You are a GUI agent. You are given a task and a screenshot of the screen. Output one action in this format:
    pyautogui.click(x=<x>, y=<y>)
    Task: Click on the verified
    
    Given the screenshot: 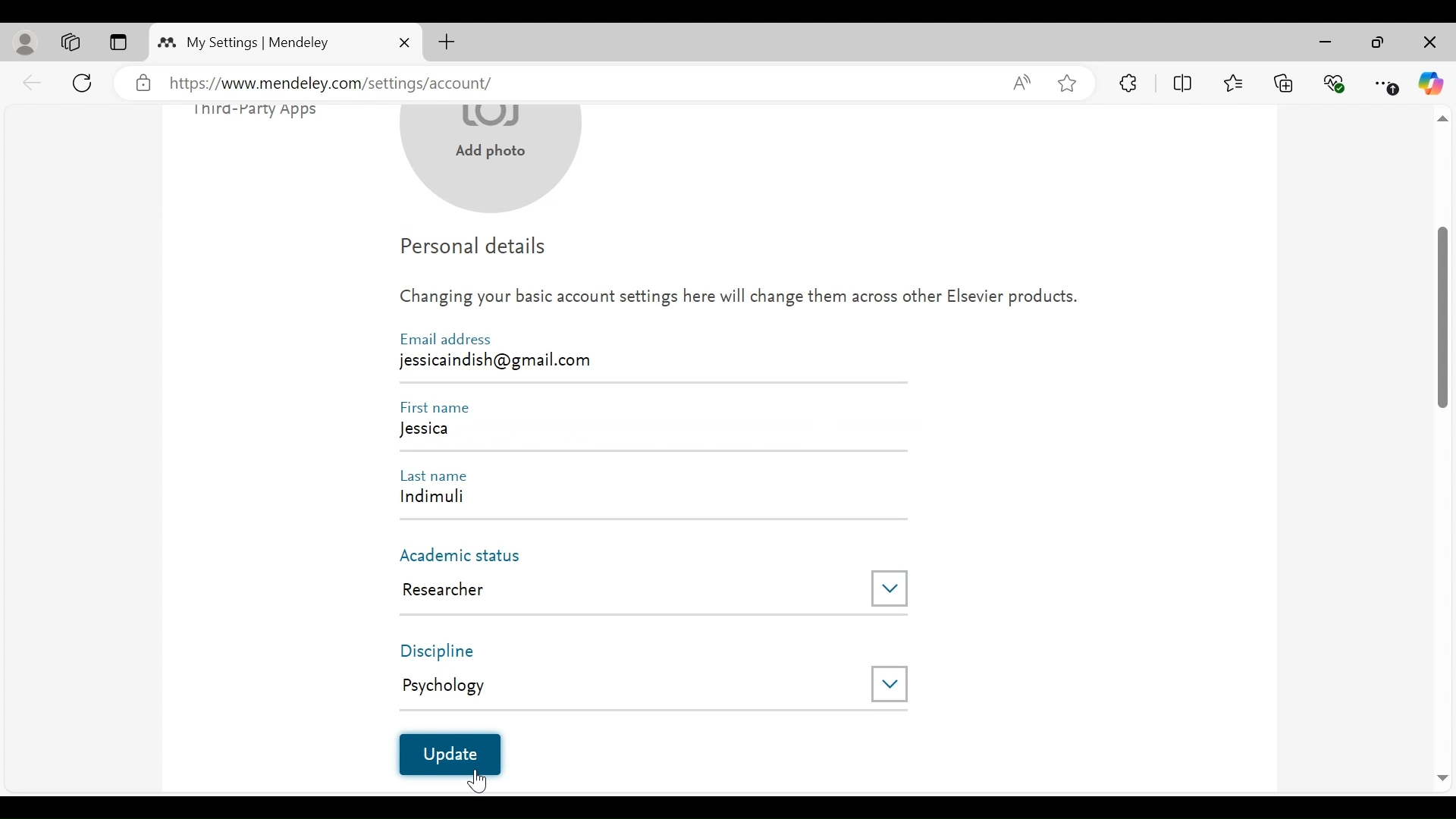 What is the action you would take?
    pyautogui.click(x=143, y=83)
    